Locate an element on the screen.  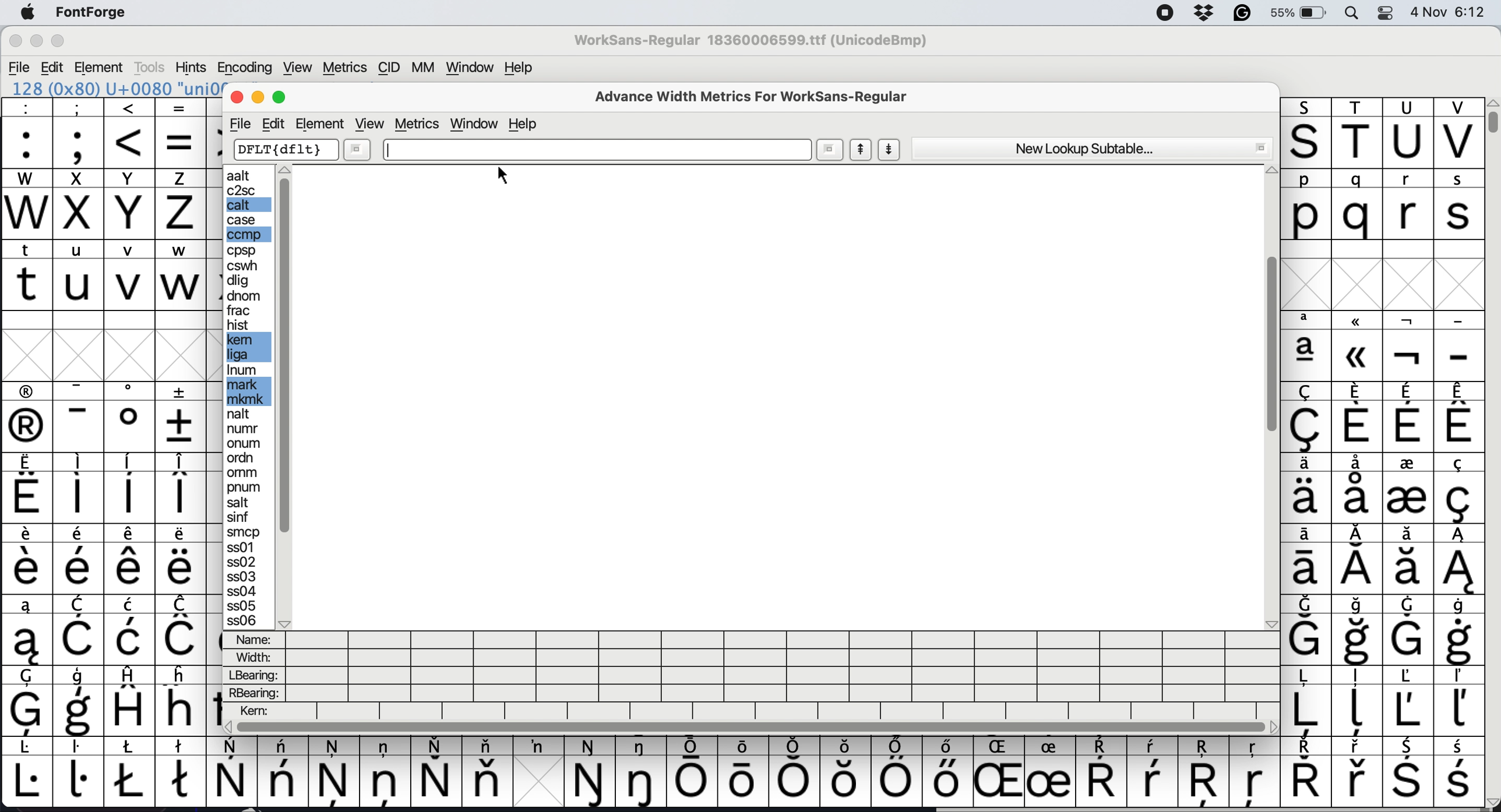
show previous letter is located at coordinates (860, 149).